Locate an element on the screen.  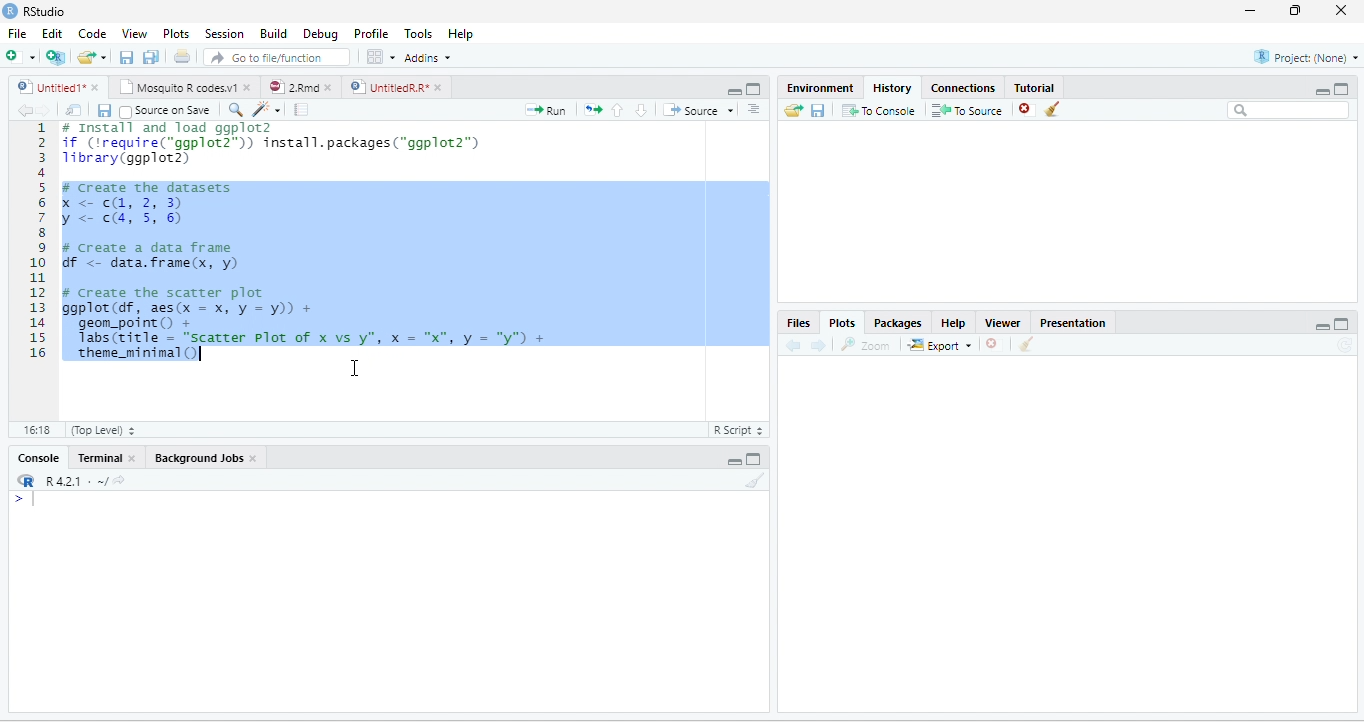
Remove current plot is located at coordinates (993, 345).